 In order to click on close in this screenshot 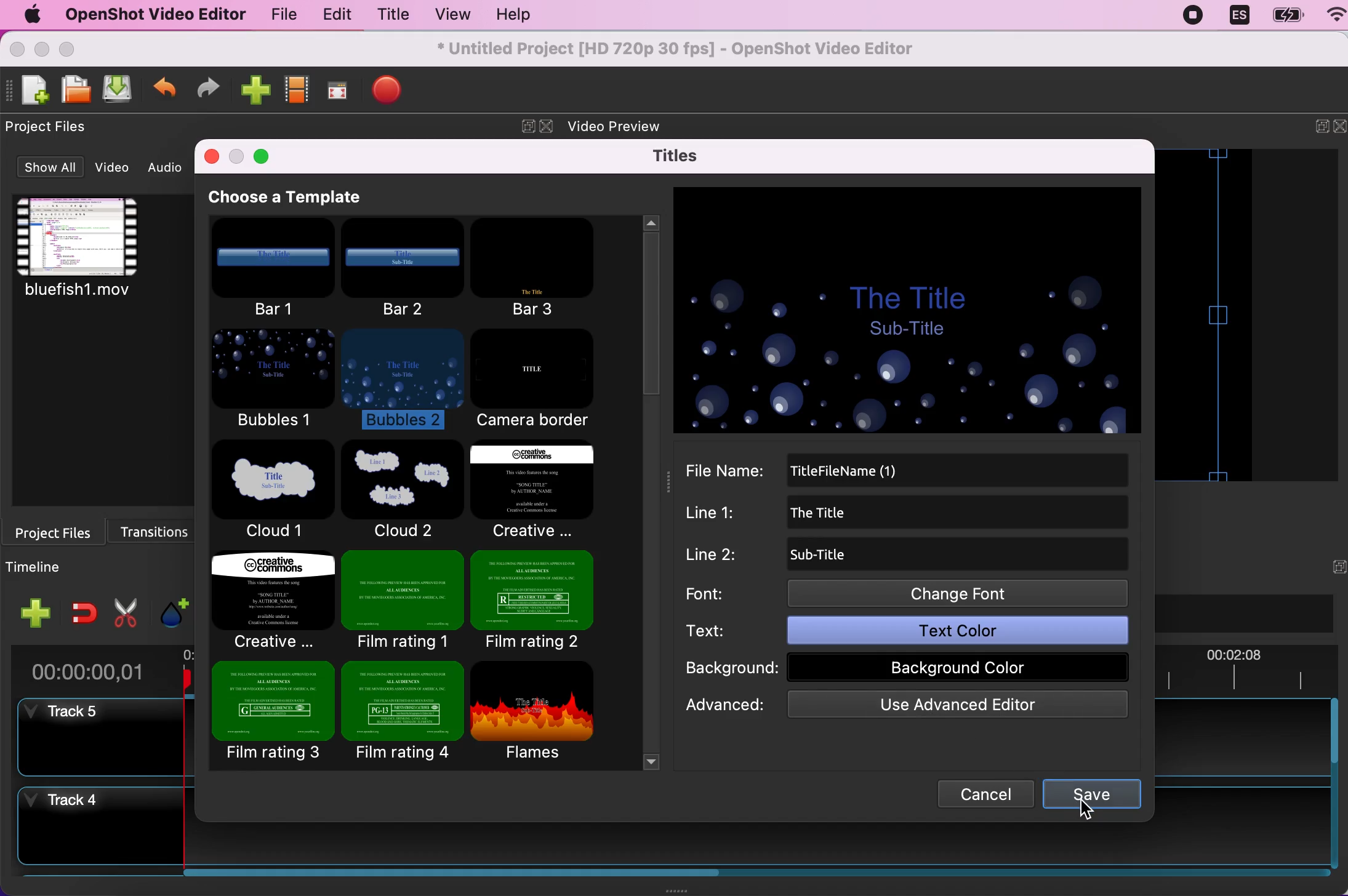, I will do `click(1339, 127)`.